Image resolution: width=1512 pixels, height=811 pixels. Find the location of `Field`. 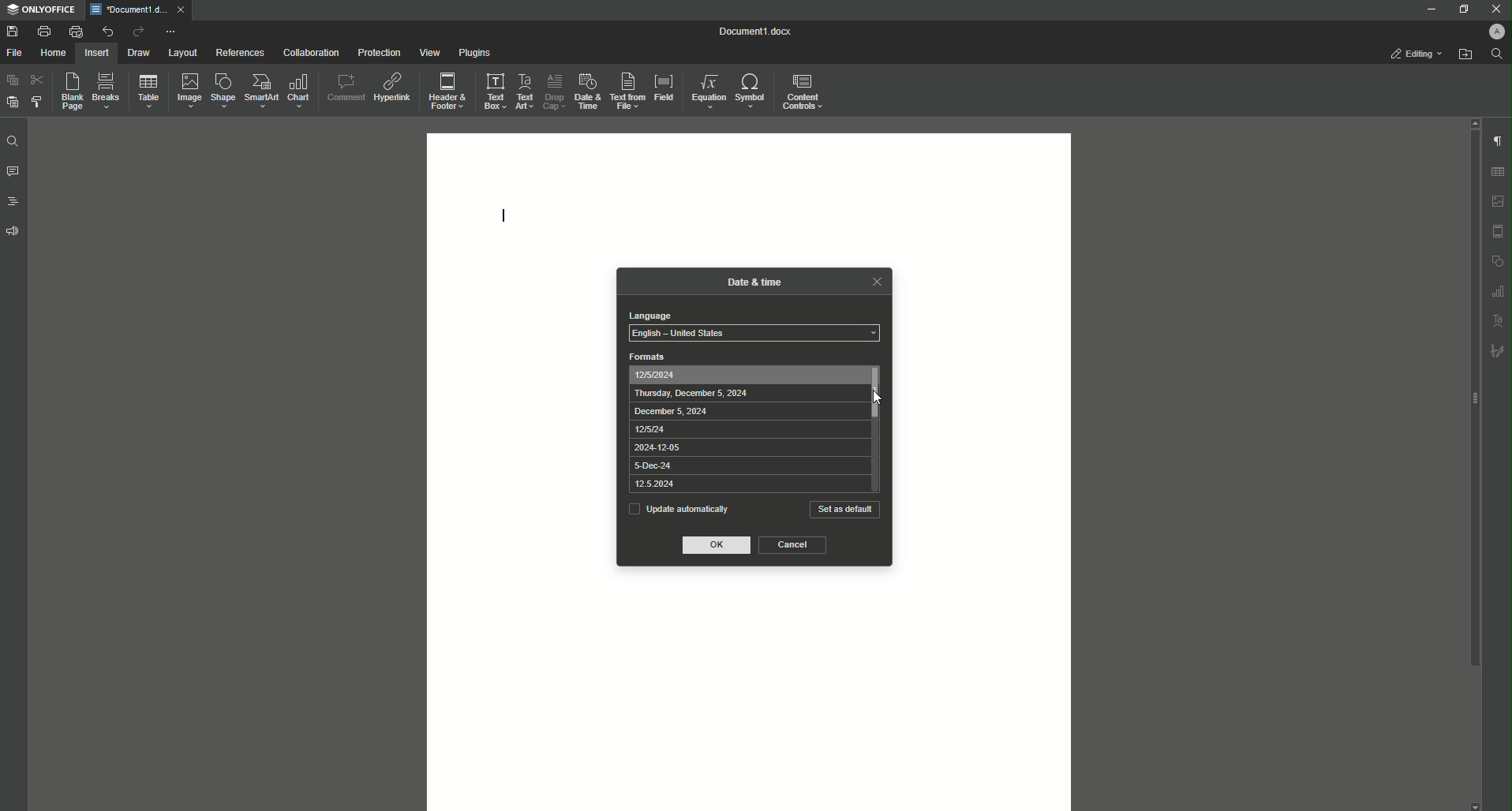

Field is located at coordinates (664, 88).